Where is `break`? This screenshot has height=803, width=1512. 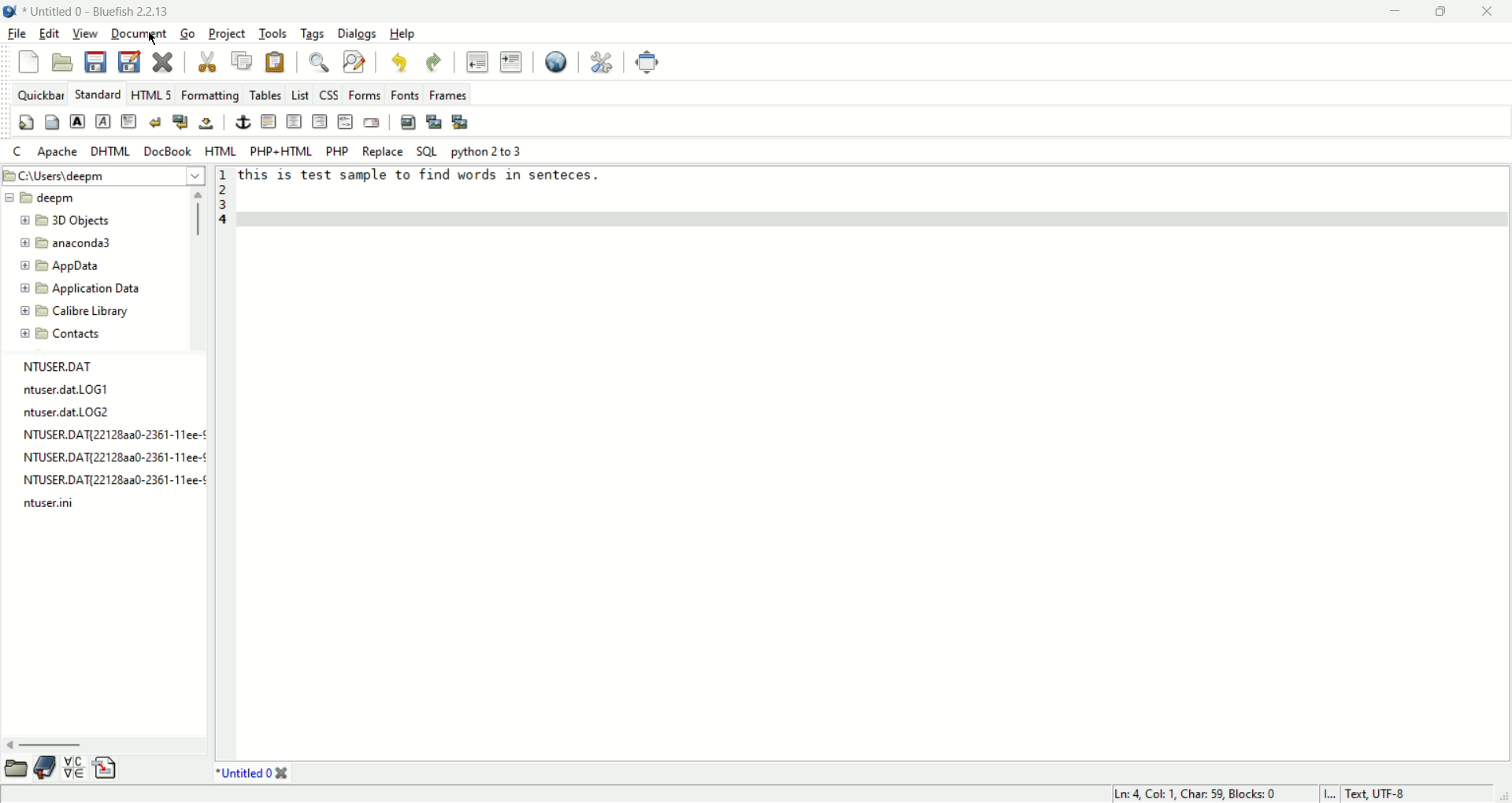 break is located at coordinates (154, 121).